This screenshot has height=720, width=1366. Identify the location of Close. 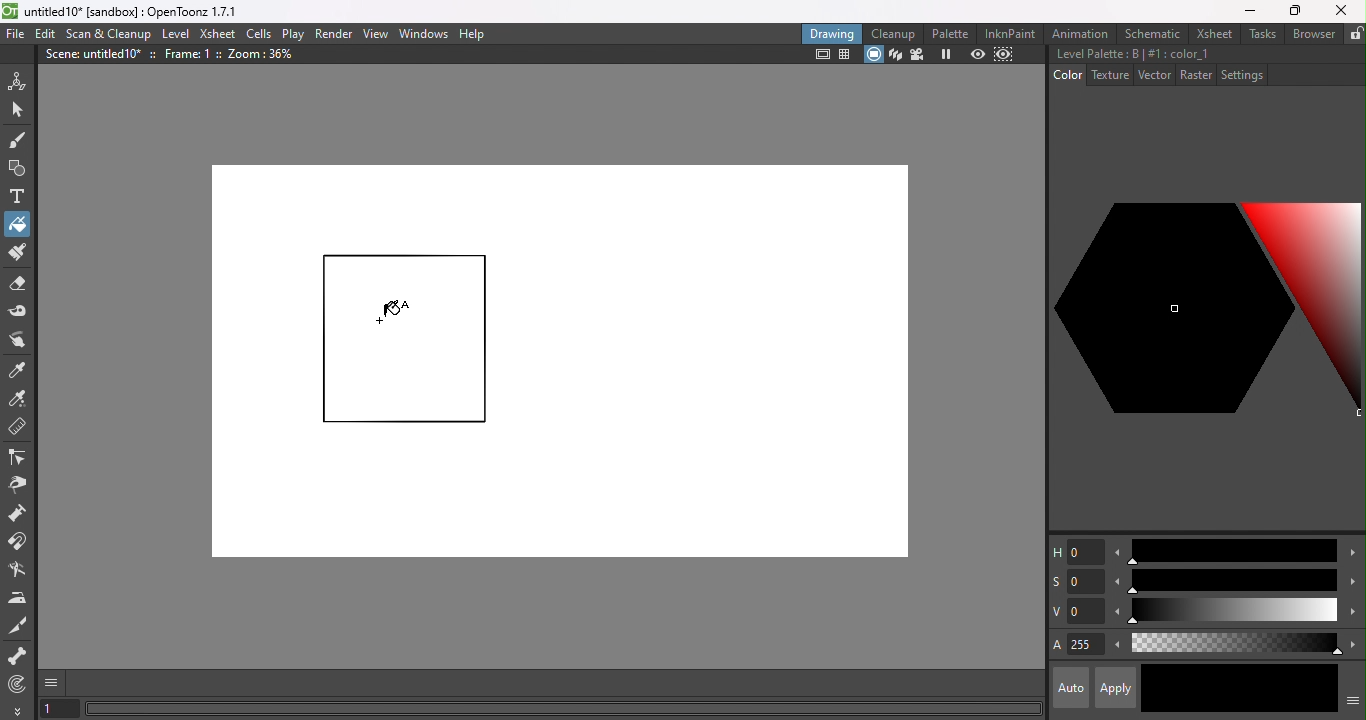
(1342, 10).